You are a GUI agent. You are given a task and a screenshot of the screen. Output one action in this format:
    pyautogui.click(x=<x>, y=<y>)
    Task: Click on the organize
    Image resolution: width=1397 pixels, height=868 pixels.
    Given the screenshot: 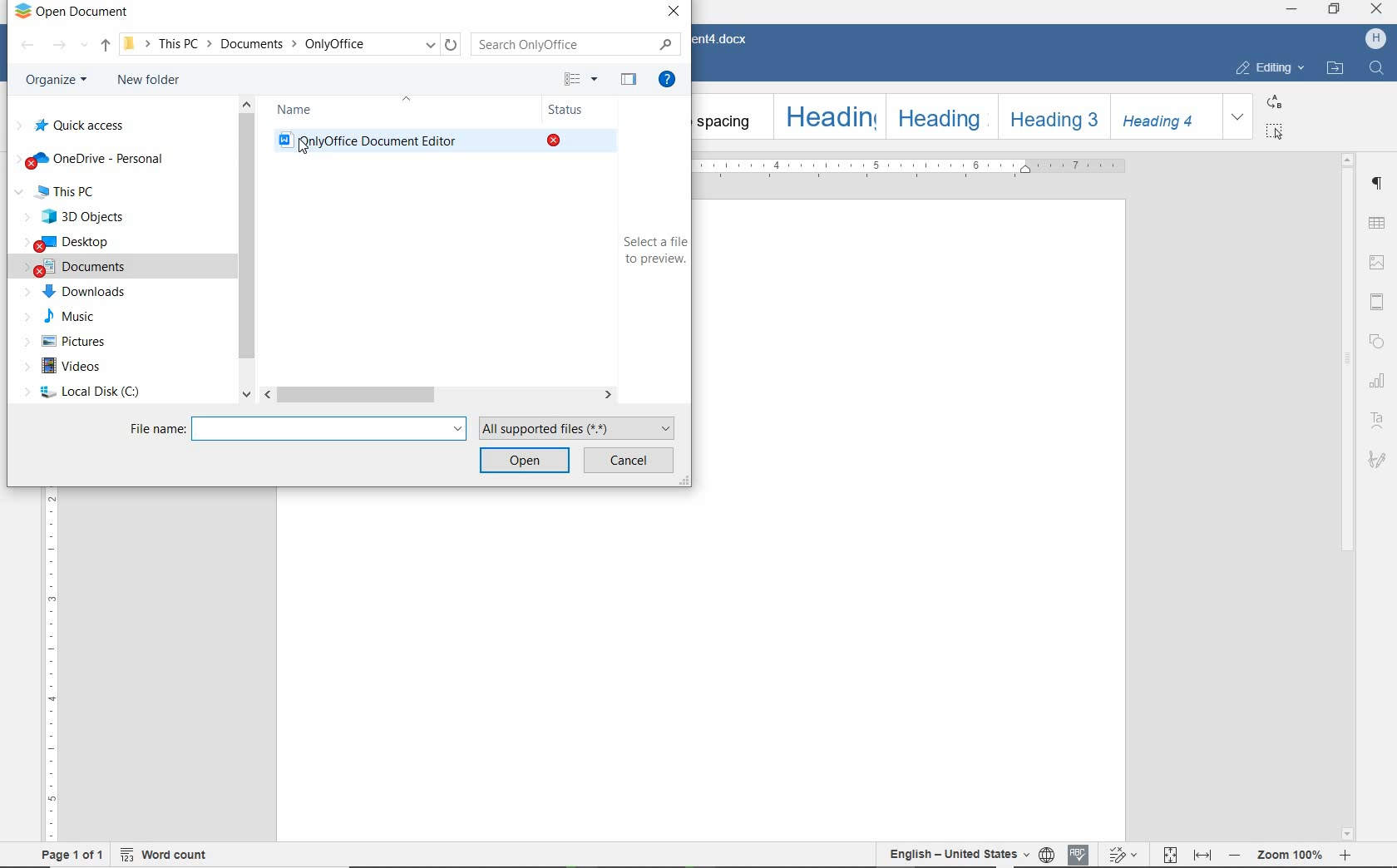 What is the action you would take?
    pyautogui.click(x=58, y=81)
    